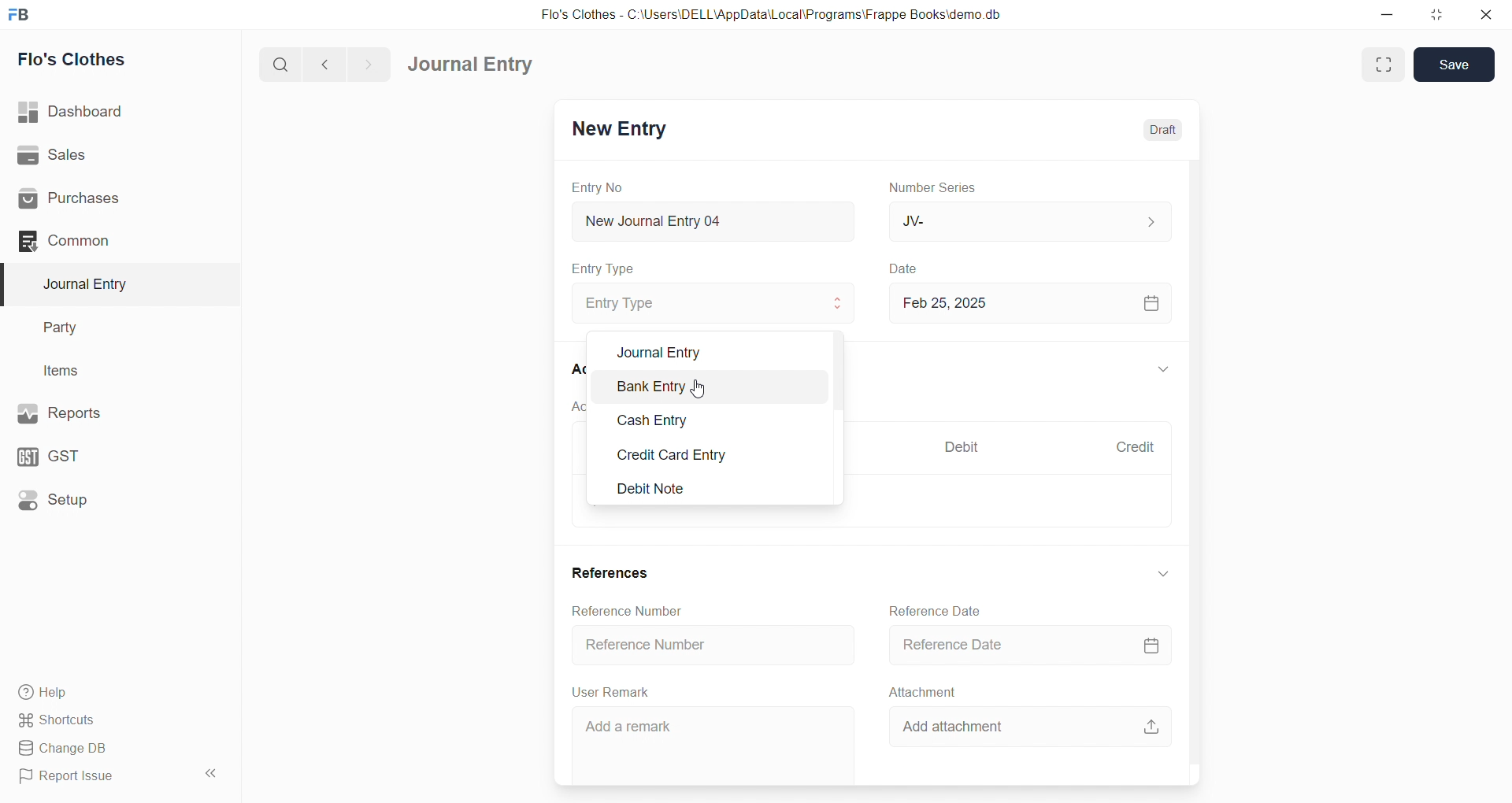  Describe the element at coordinates (1022, 644) in the screenshot. I see `Reference Date` at that location.